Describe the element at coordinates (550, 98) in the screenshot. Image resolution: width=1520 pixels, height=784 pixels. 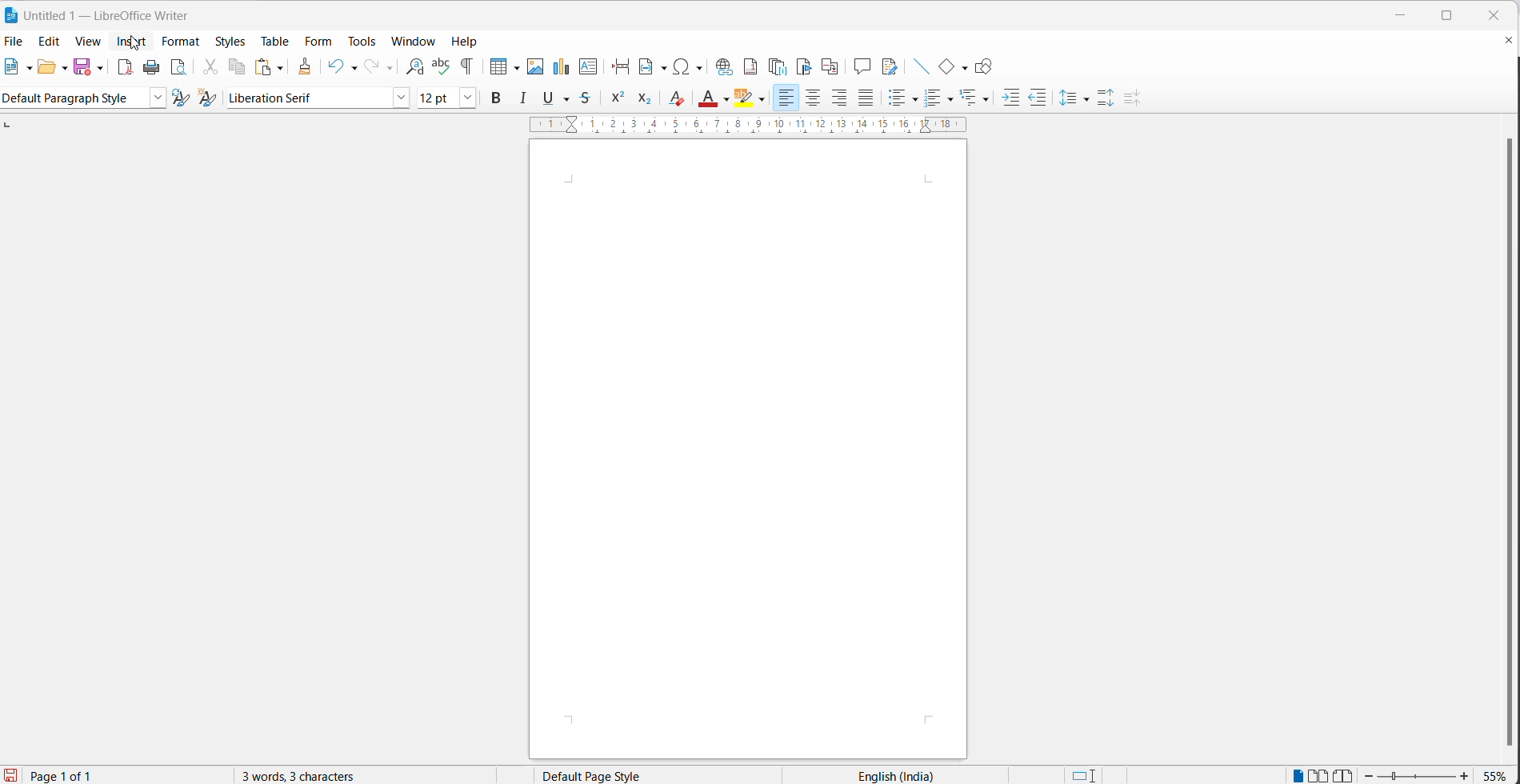
I see `underline` at that location.